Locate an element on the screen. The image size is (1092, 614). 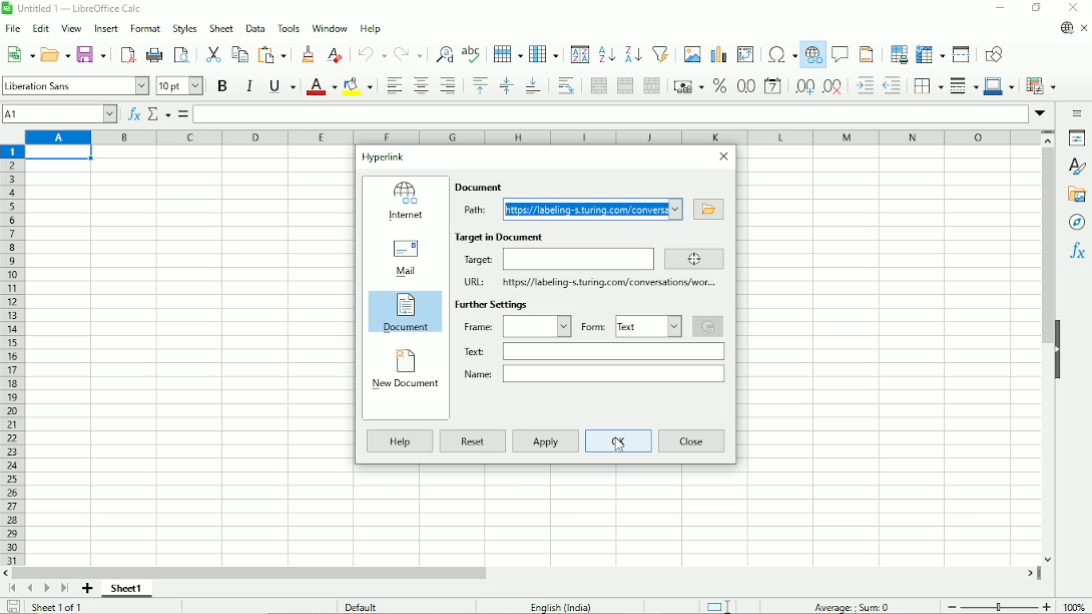
Styles is located at coordinates (1078, 167).